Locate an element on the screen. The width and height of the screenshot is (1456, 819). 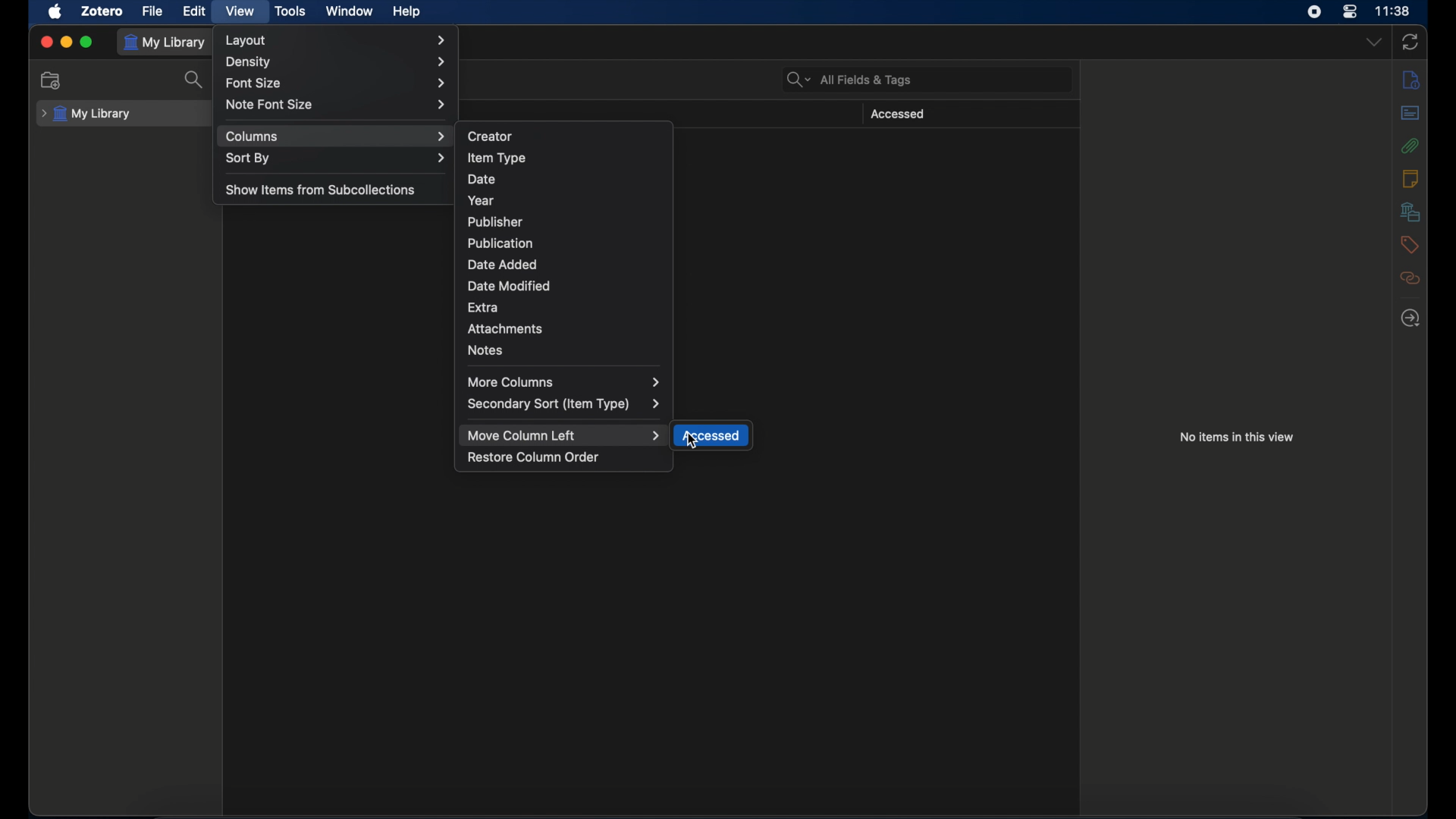
accessed is located at coordinates (713, 436).